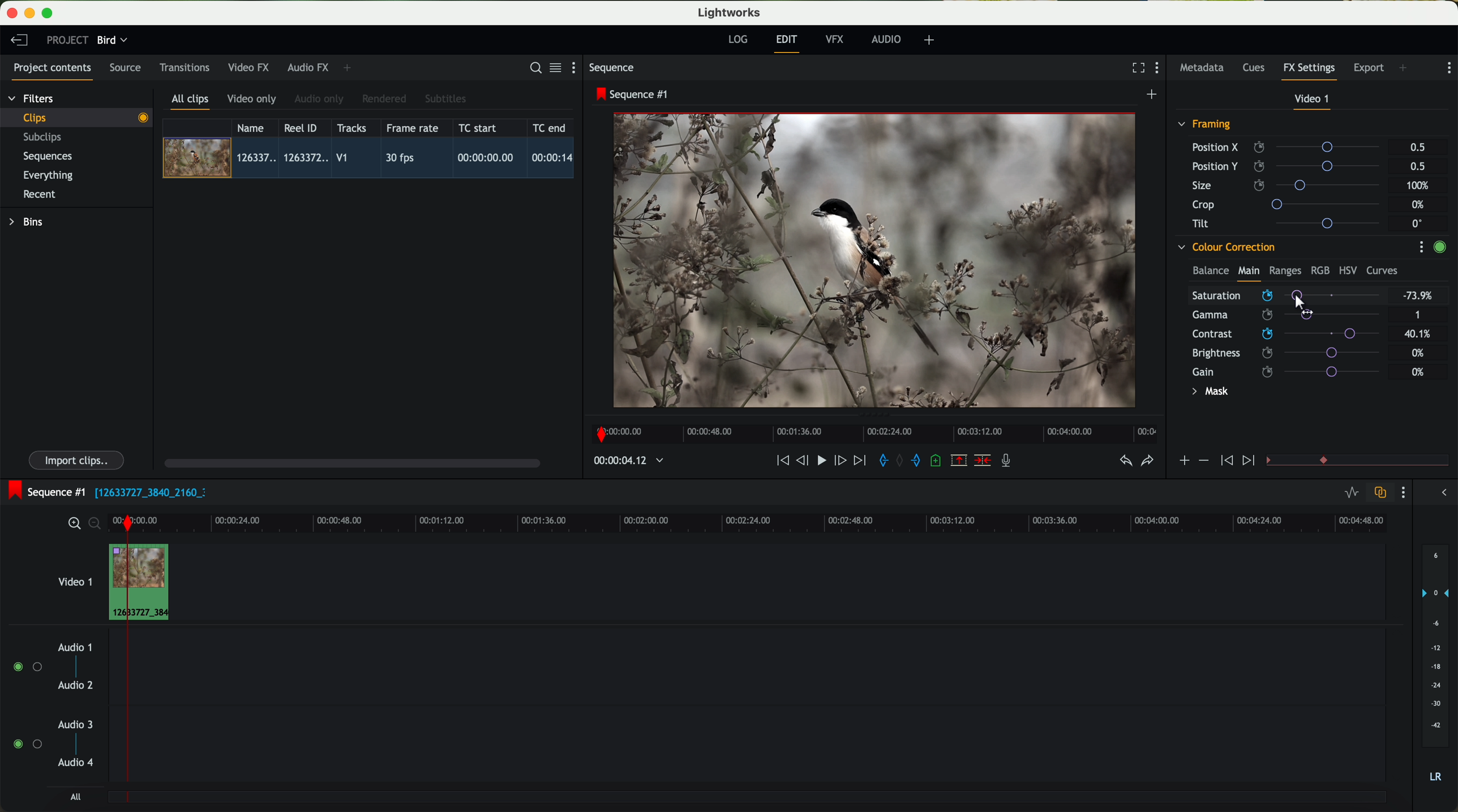 This screenshot has height=812, width=1458. What do you see at coordinates (960, 461) in the screenshot?
I see `remove the marked section` at bounding box center [960, 461].